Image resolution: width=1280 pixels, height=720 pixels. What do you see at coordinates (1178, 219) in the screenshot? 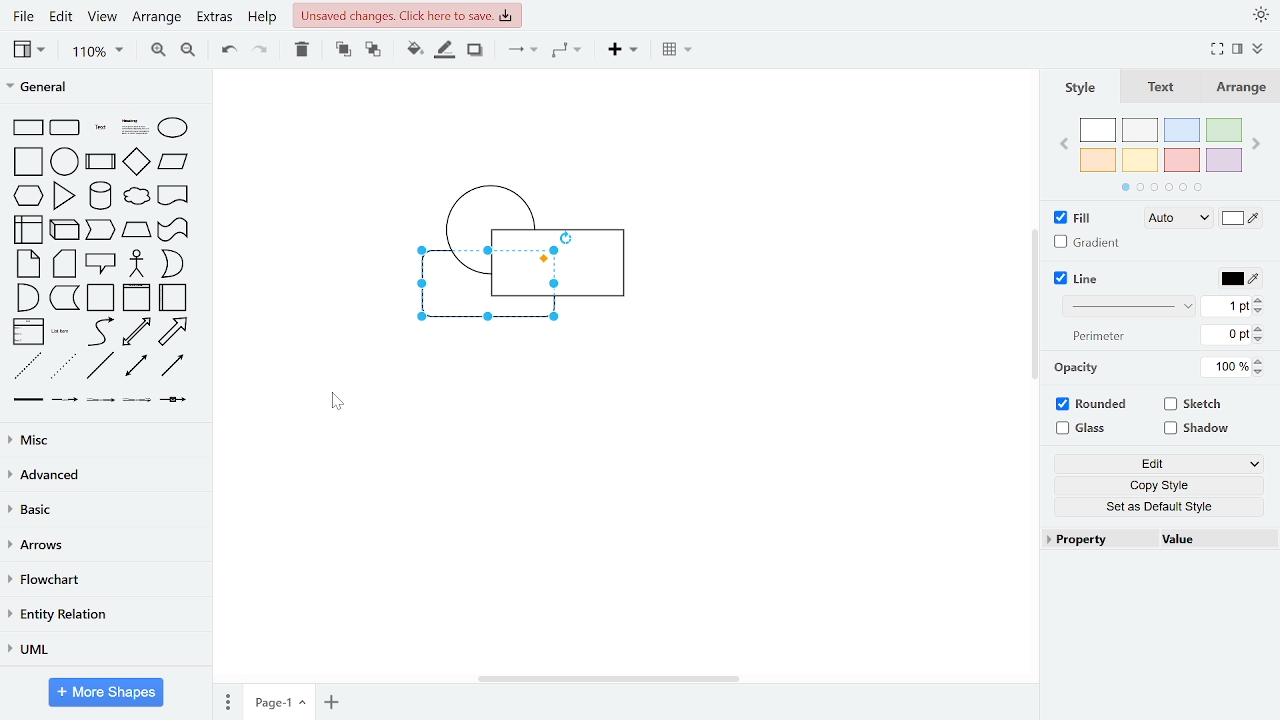
I see `fill style` at bounding box center [1178, 219].